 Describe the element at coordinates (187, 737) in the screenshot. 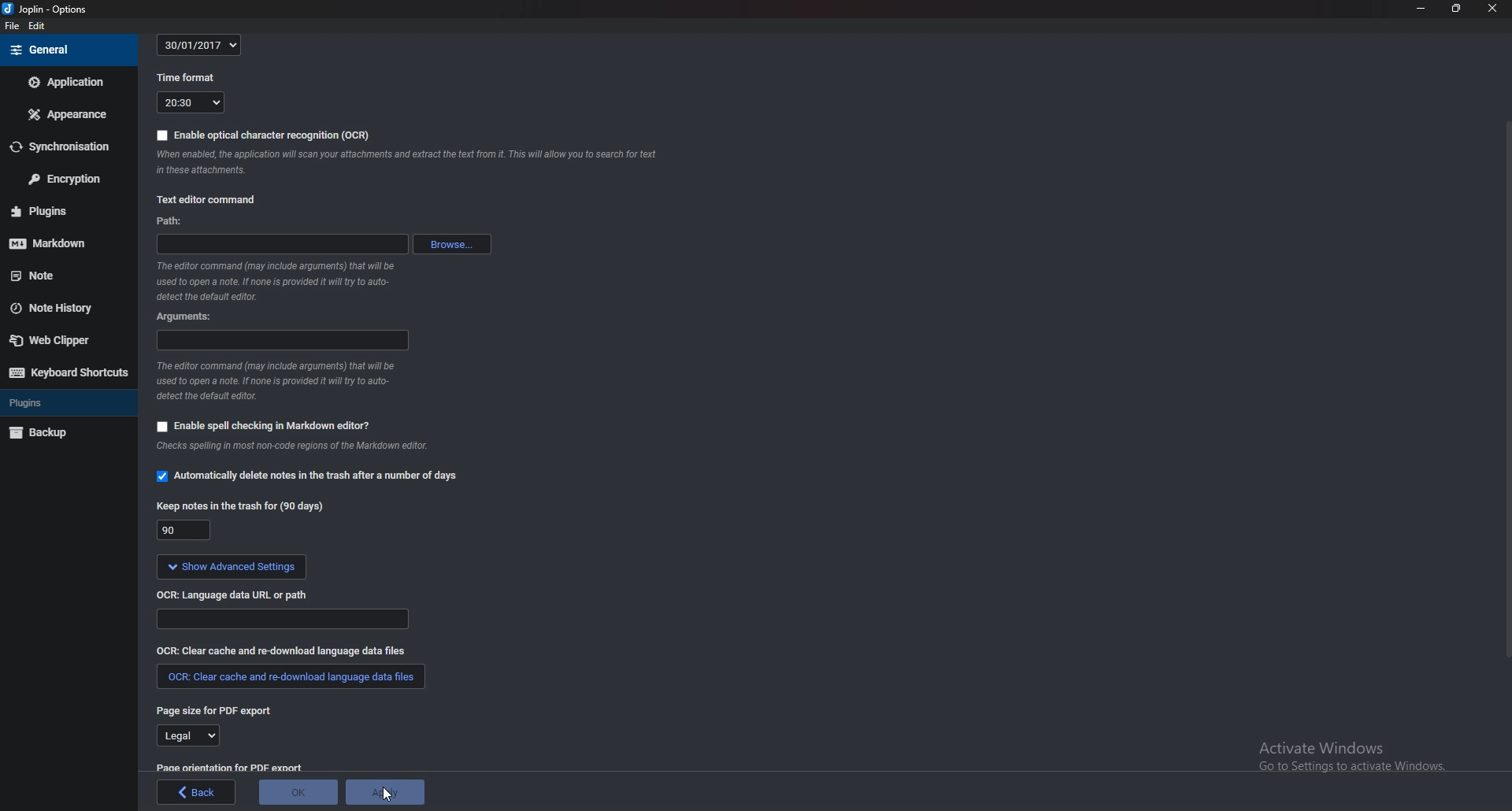

I see `Legal` at that location.